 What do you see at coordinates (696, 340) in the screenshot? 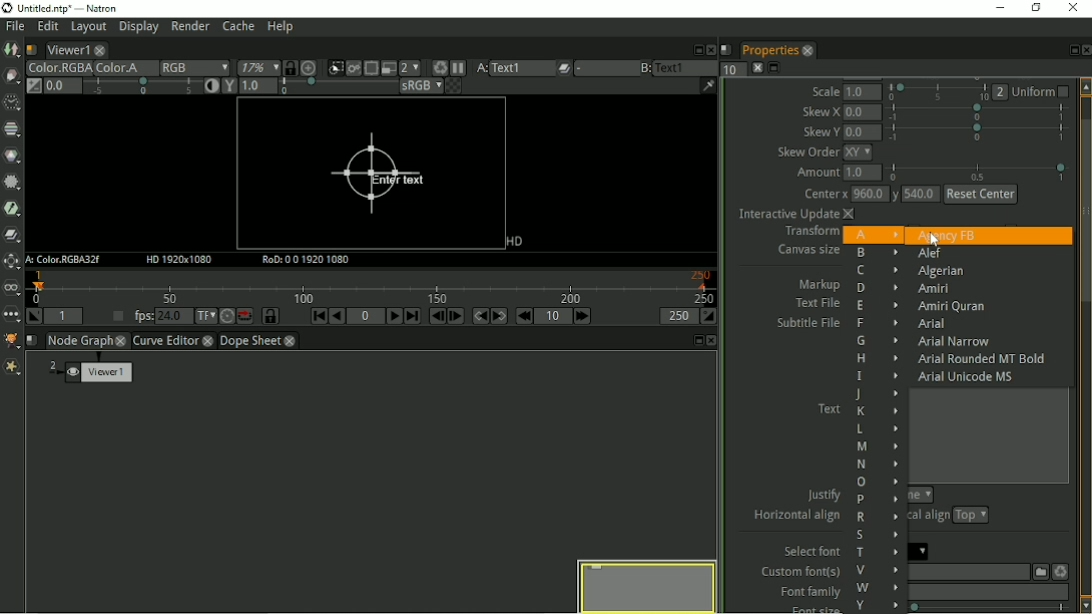
I see `Float pane` at bounding box center [696, 340].